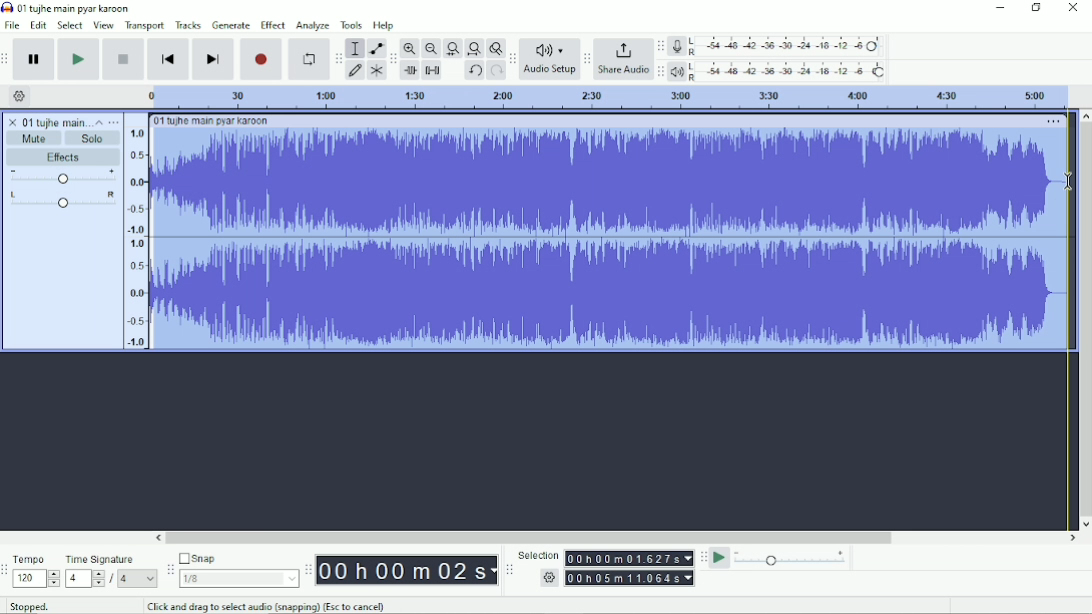 The height and width of the screenshot is (614, 1092). Describe the element at coordinates (776, 46) in the screenshot. I see `Record meter` at that location.